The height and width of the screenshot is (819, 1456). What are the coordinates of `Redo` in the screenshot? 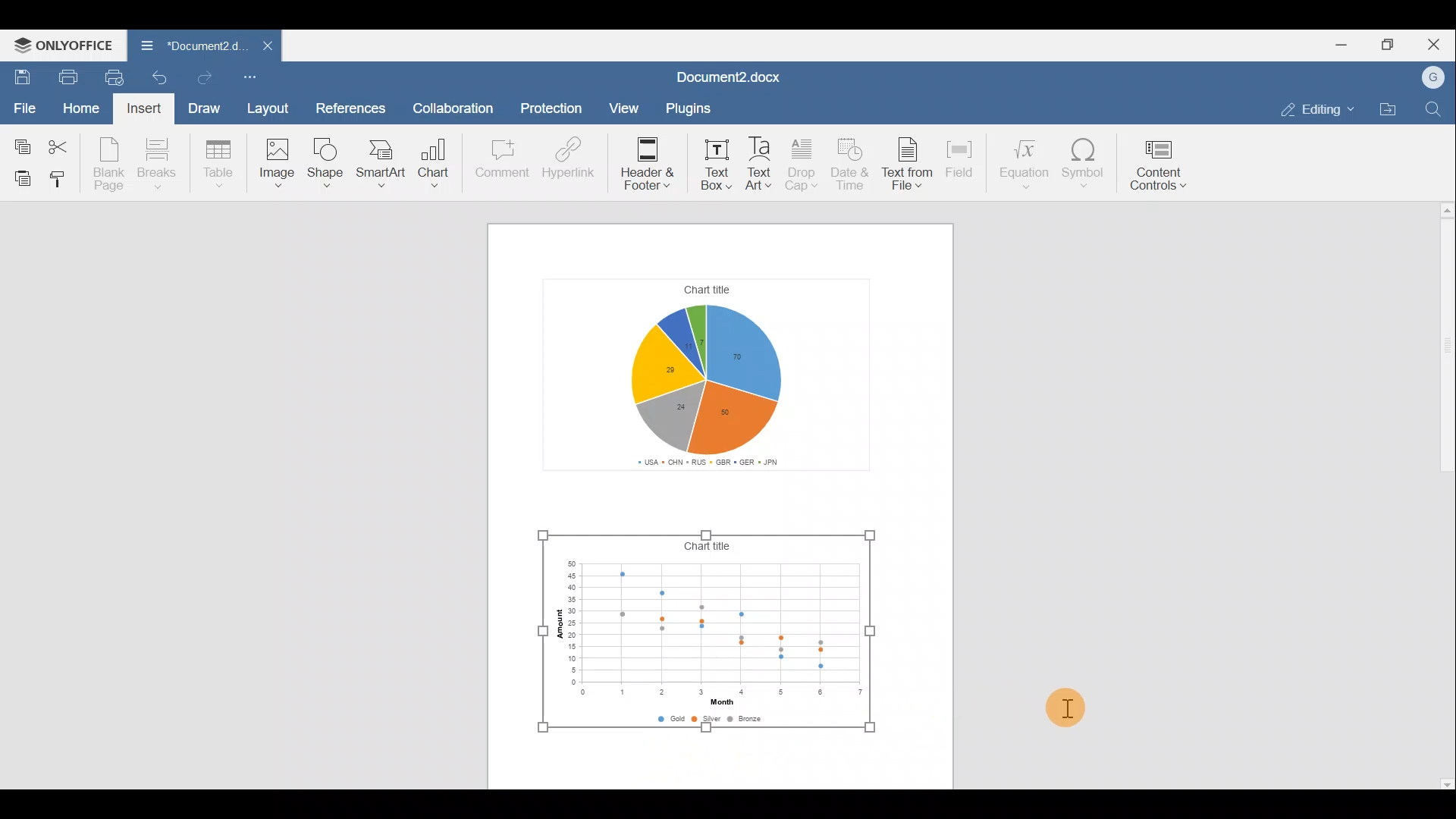 It's located at (208, 78).